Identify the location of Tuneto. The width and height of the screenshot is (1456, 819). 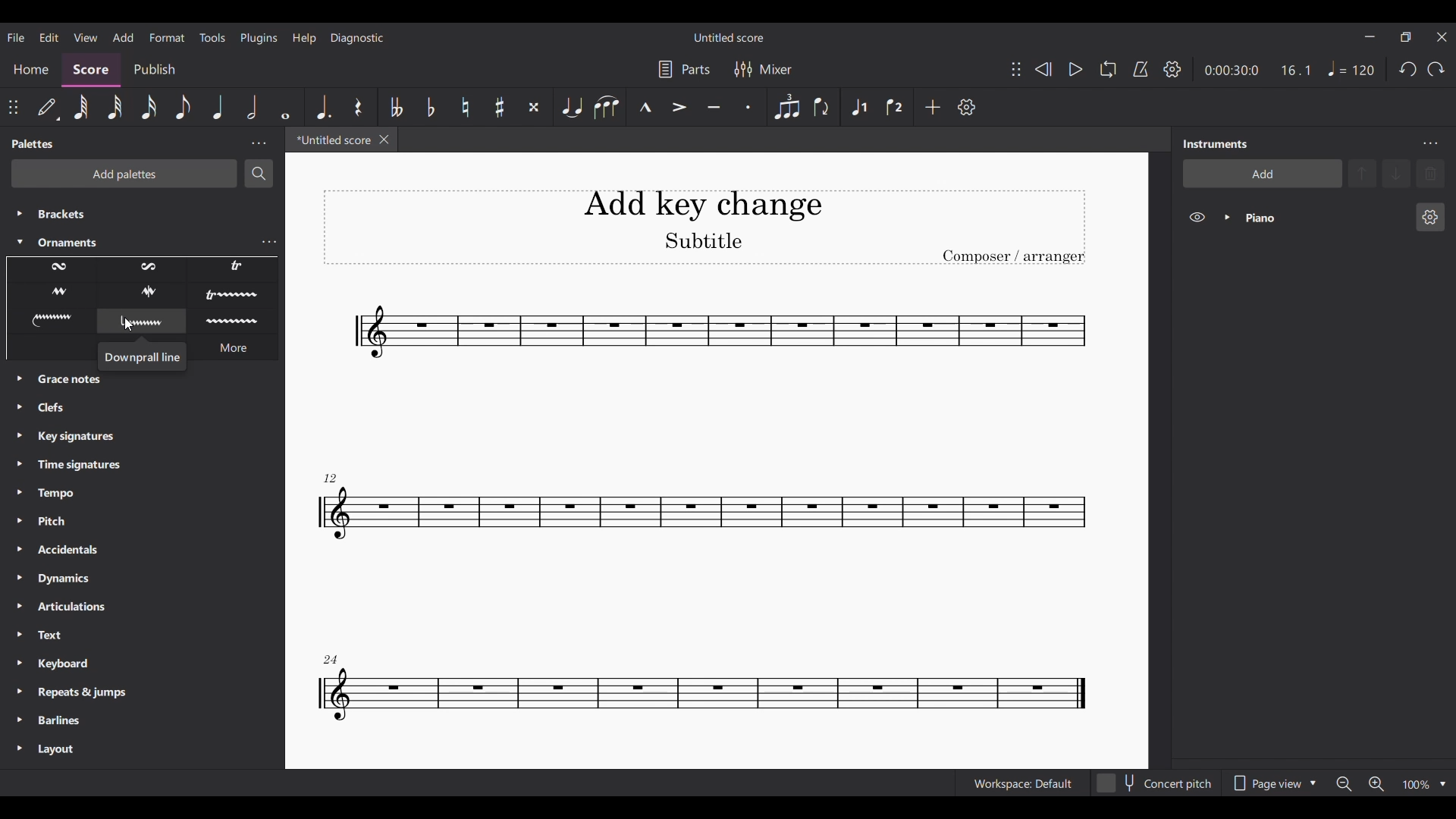
(714, 106).